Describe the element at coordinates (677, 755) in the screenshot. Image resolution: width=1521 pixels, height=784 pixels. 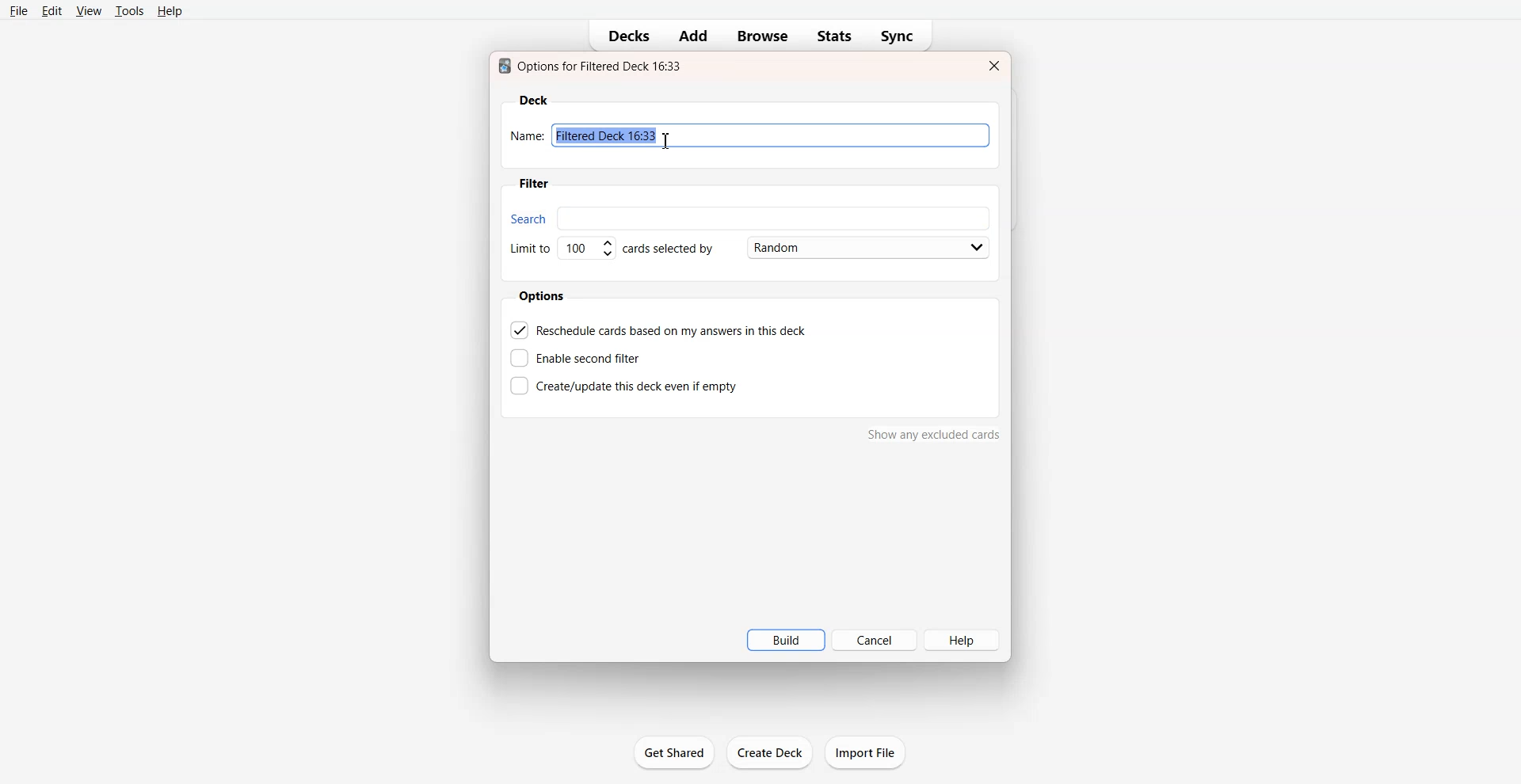
I see `get shared` at that location.